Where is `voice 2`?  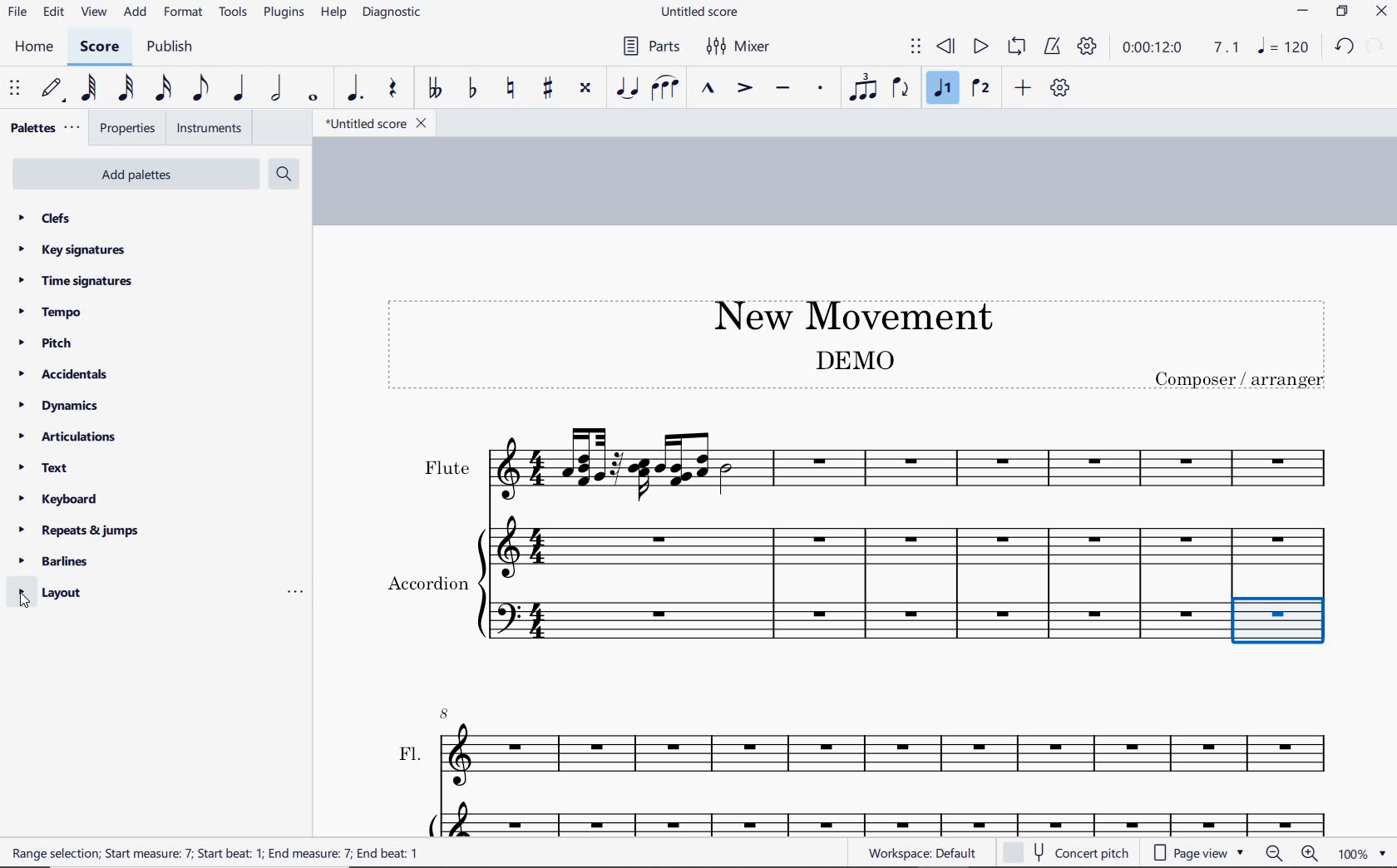 voice 2 is located at coordinates (981, 89).